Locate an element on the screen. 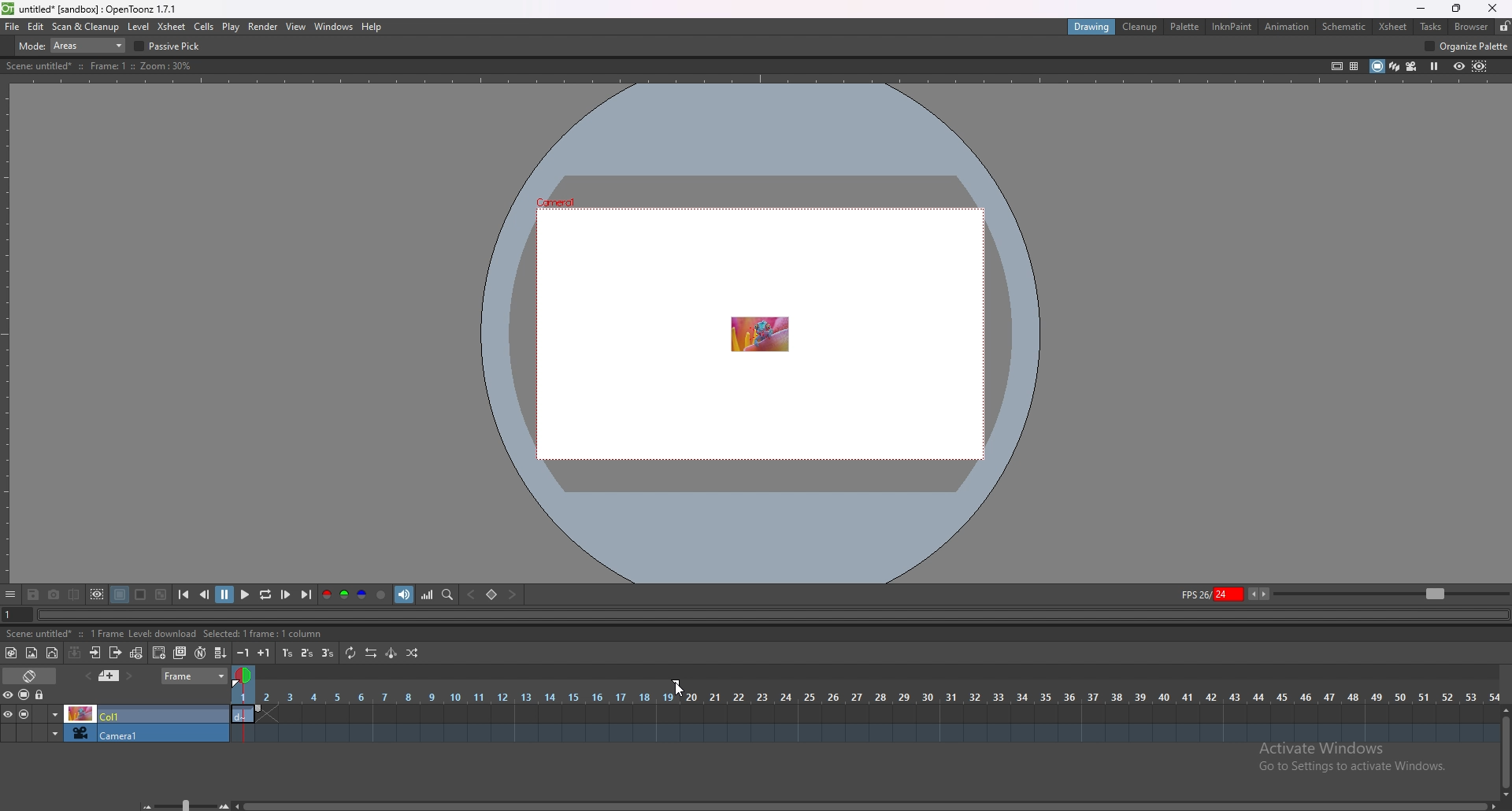  freeze is located at coordinates (1435, 67).